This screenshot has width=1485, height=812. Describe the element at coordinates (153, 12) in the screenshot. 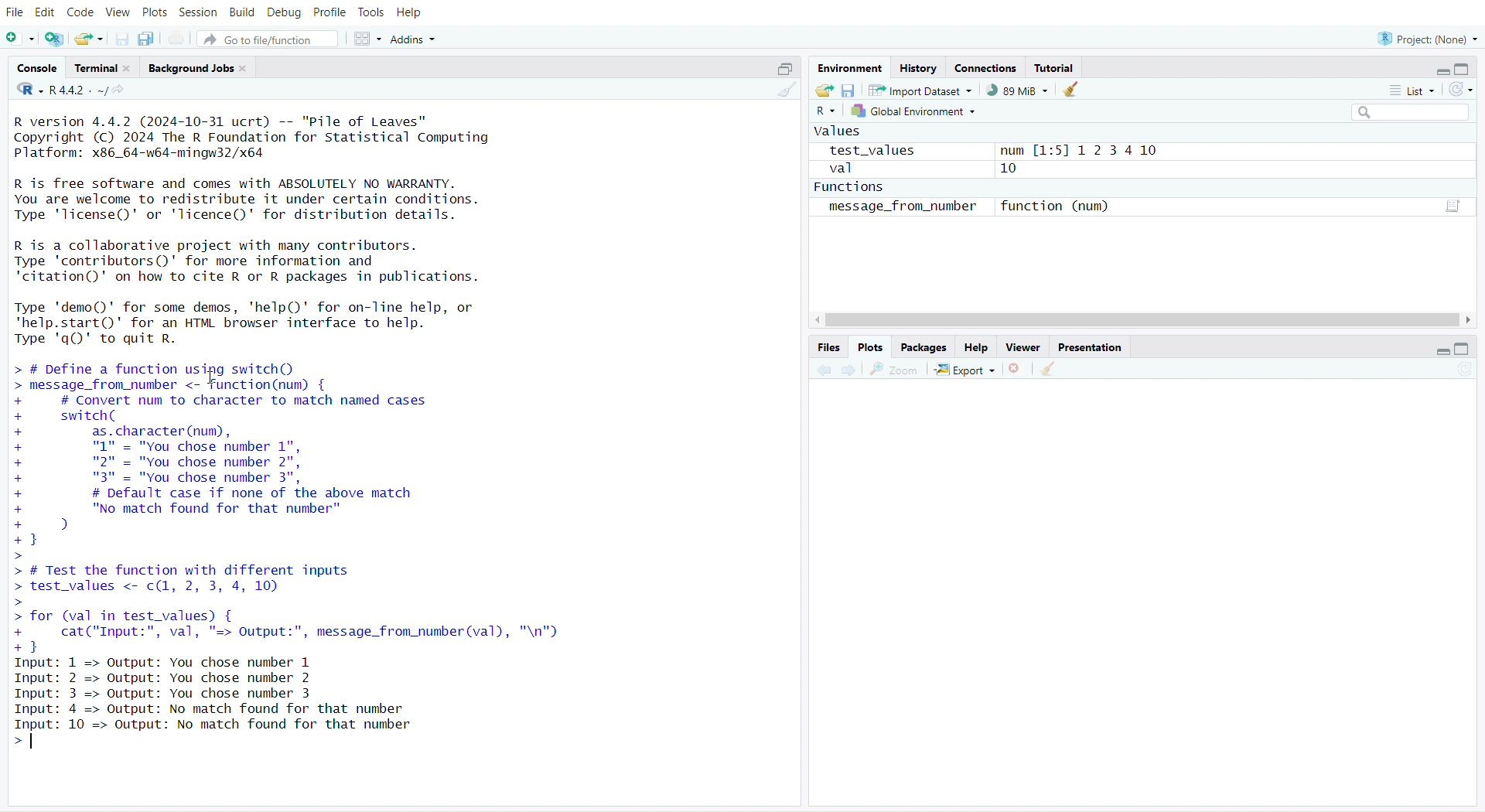

I see `Plots` at that location.